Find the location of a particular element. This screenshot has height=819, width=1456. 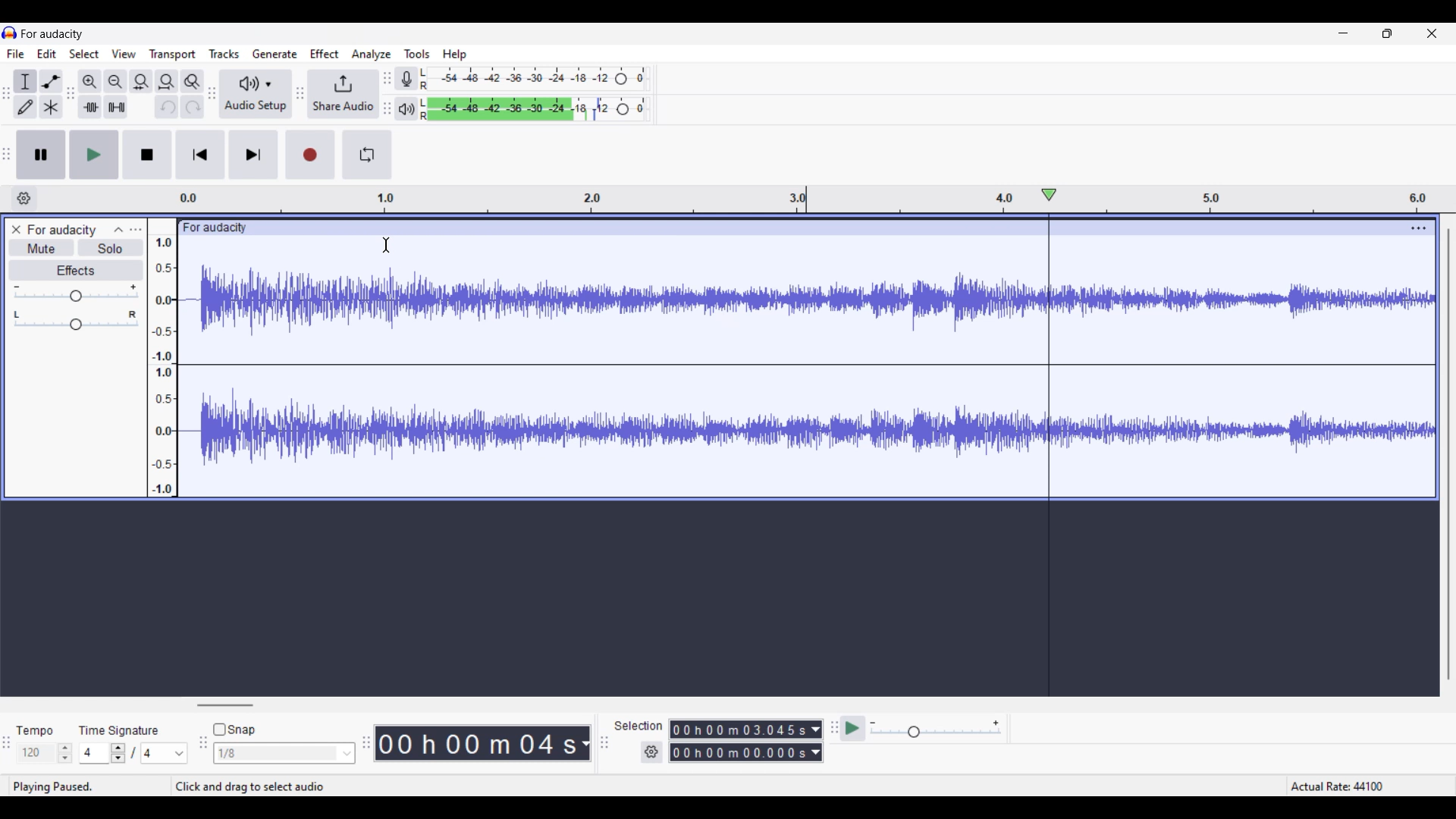

Collapse is located at coordinates (118, 229).